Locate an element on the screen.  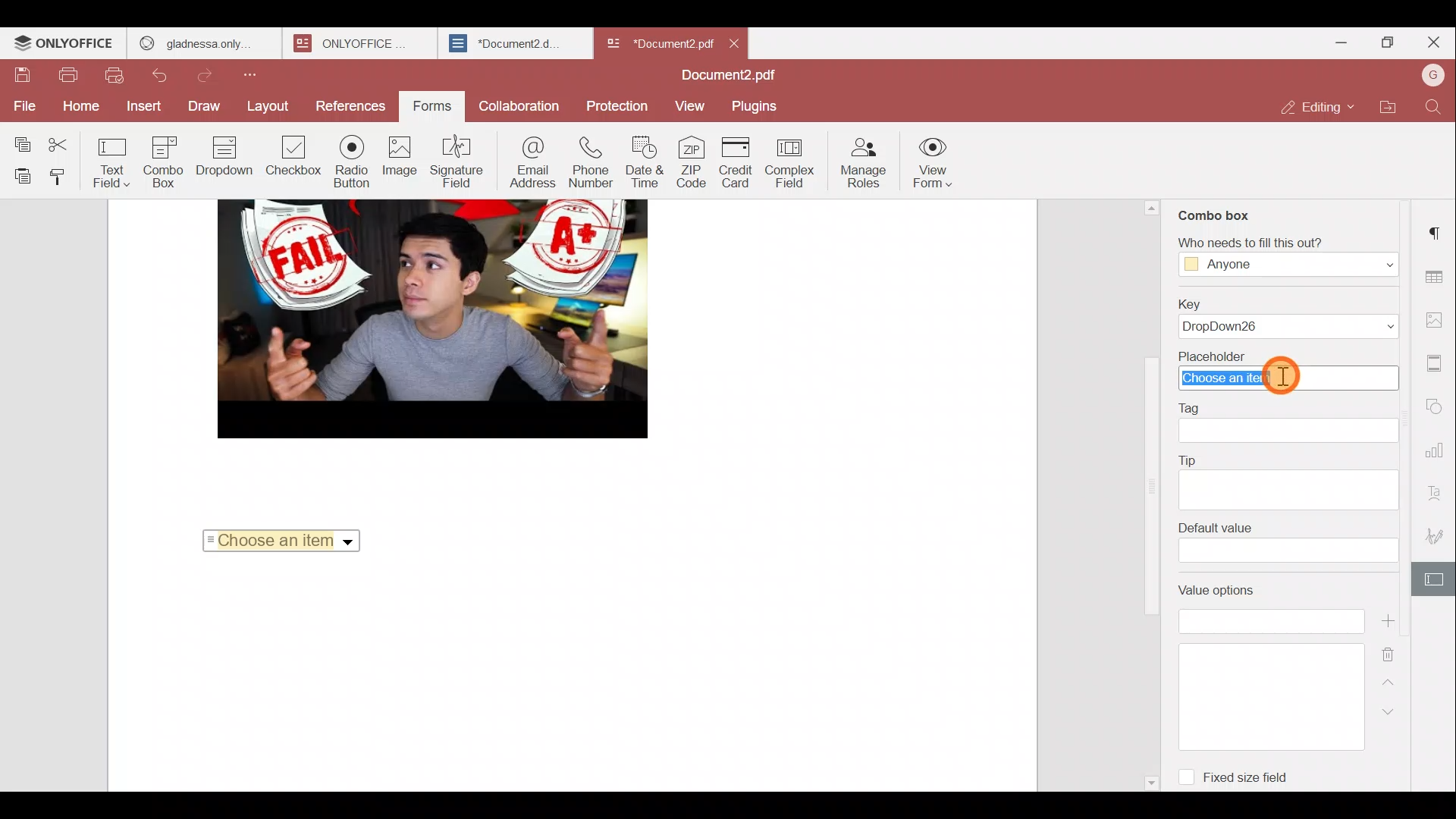
Undo is located at coordinates (164, 75).